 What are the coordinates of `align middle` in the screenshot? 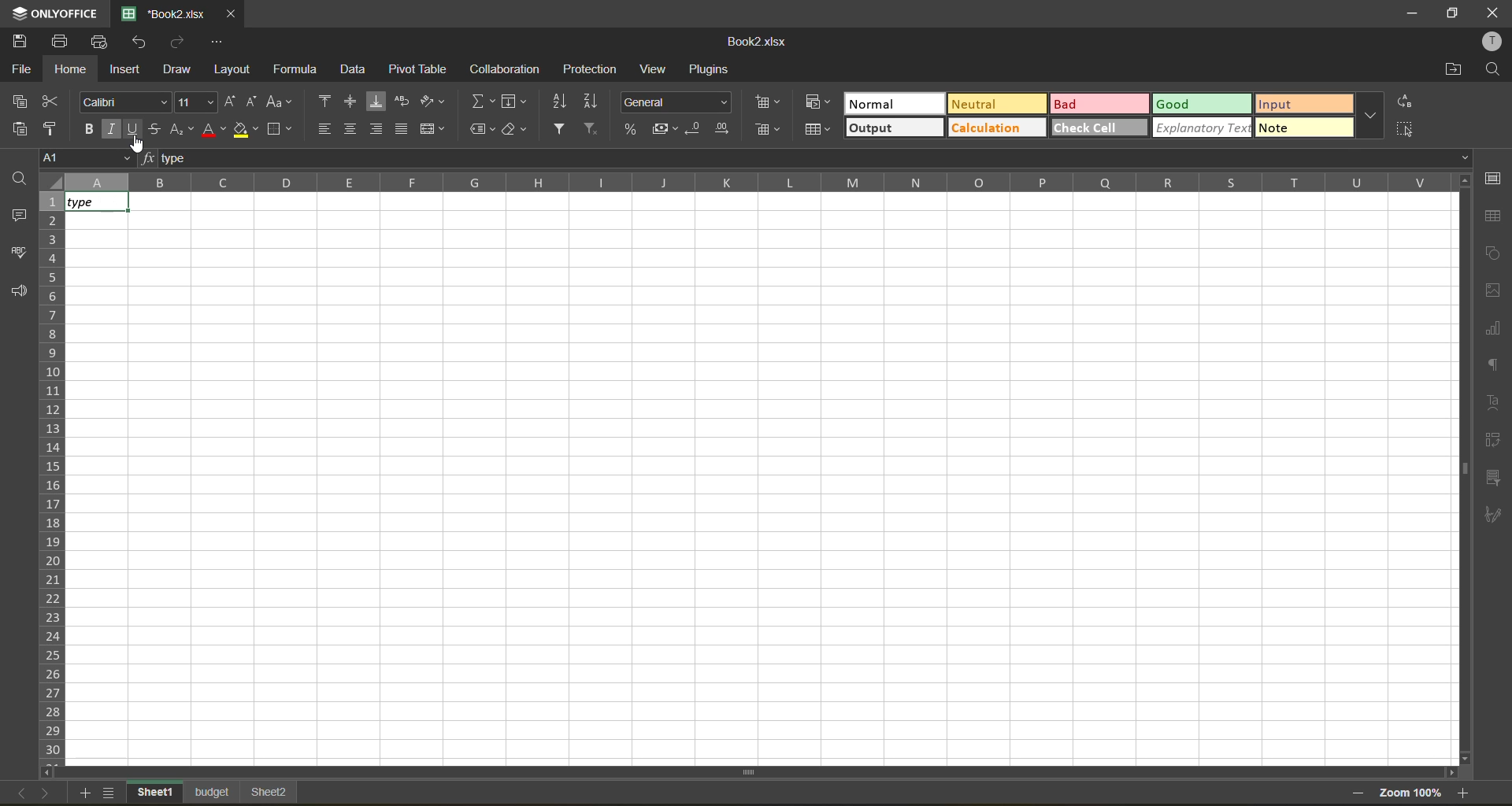 It's located at (353, 103).